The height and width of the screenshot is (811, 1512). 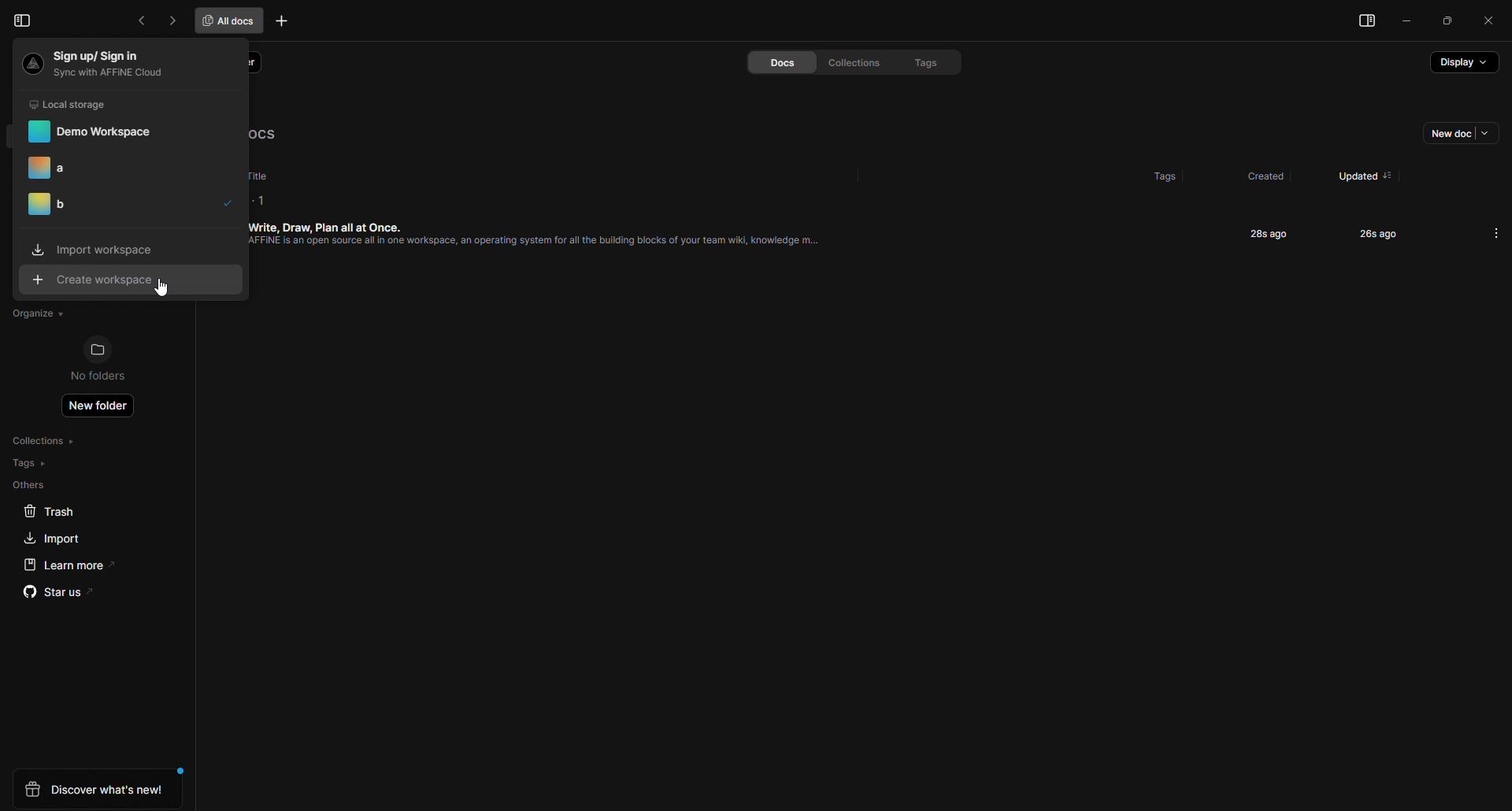 I want to click on import, so click(x=48, y=538).